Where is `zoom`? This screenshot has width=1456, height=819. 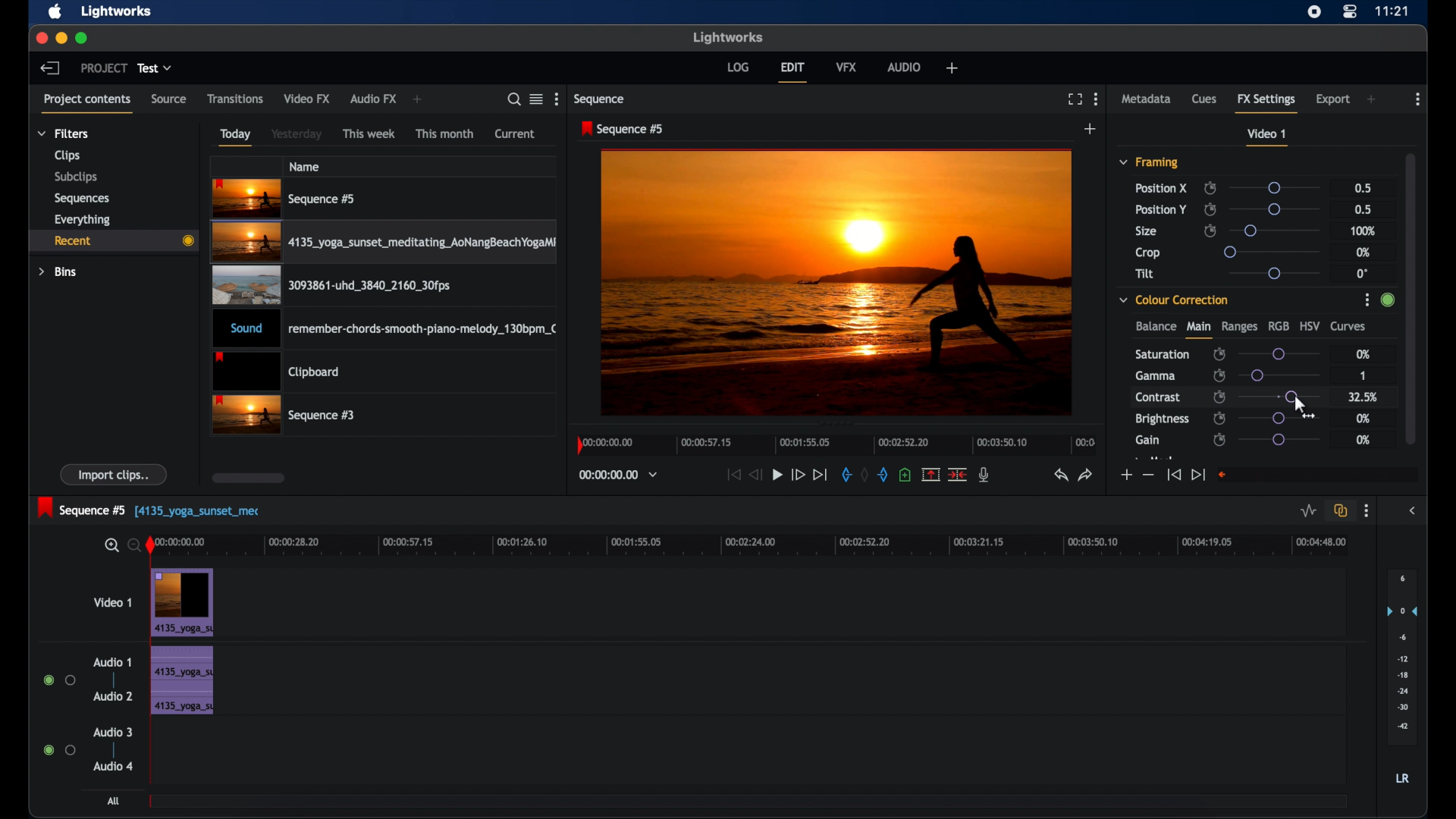 zoom is located at coordinates (118, 546).